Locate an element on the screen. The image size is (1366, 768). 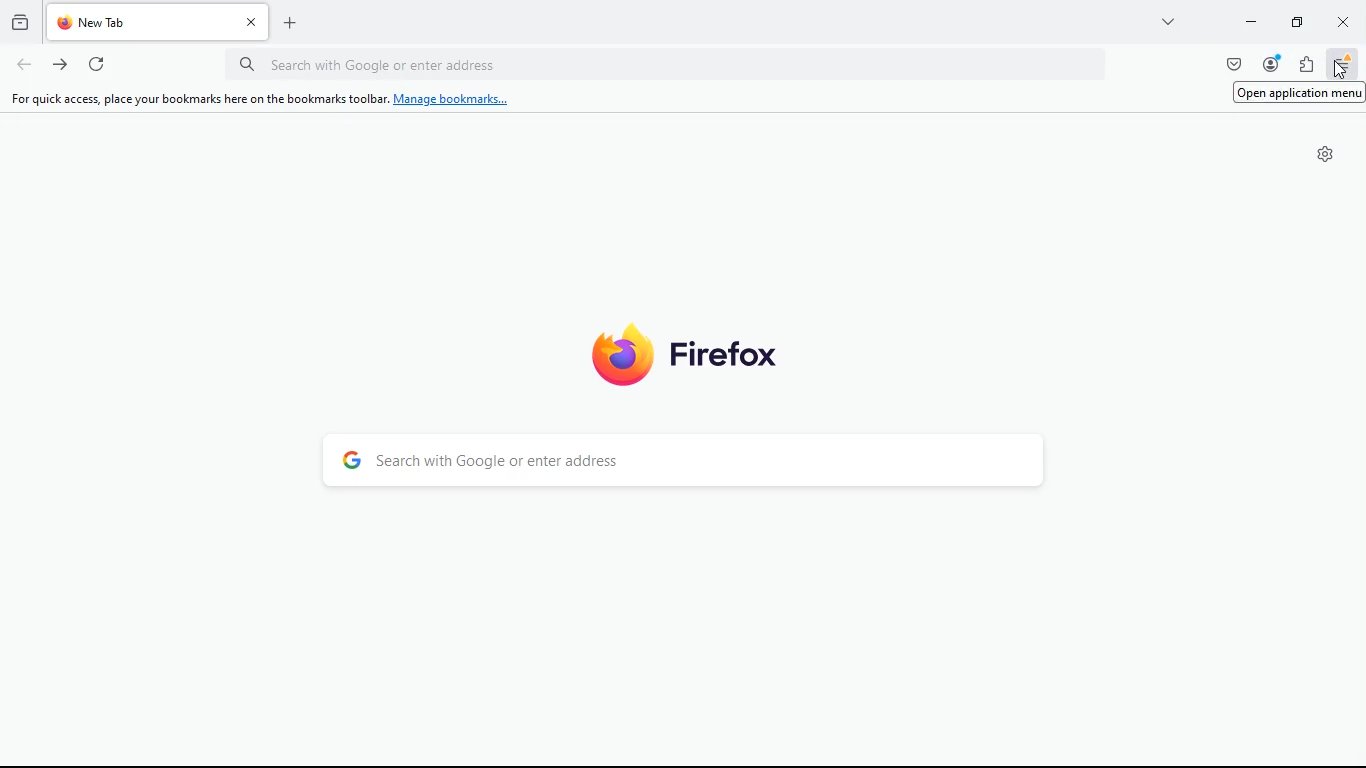
Cursor is located at coordinates (1341, 70).